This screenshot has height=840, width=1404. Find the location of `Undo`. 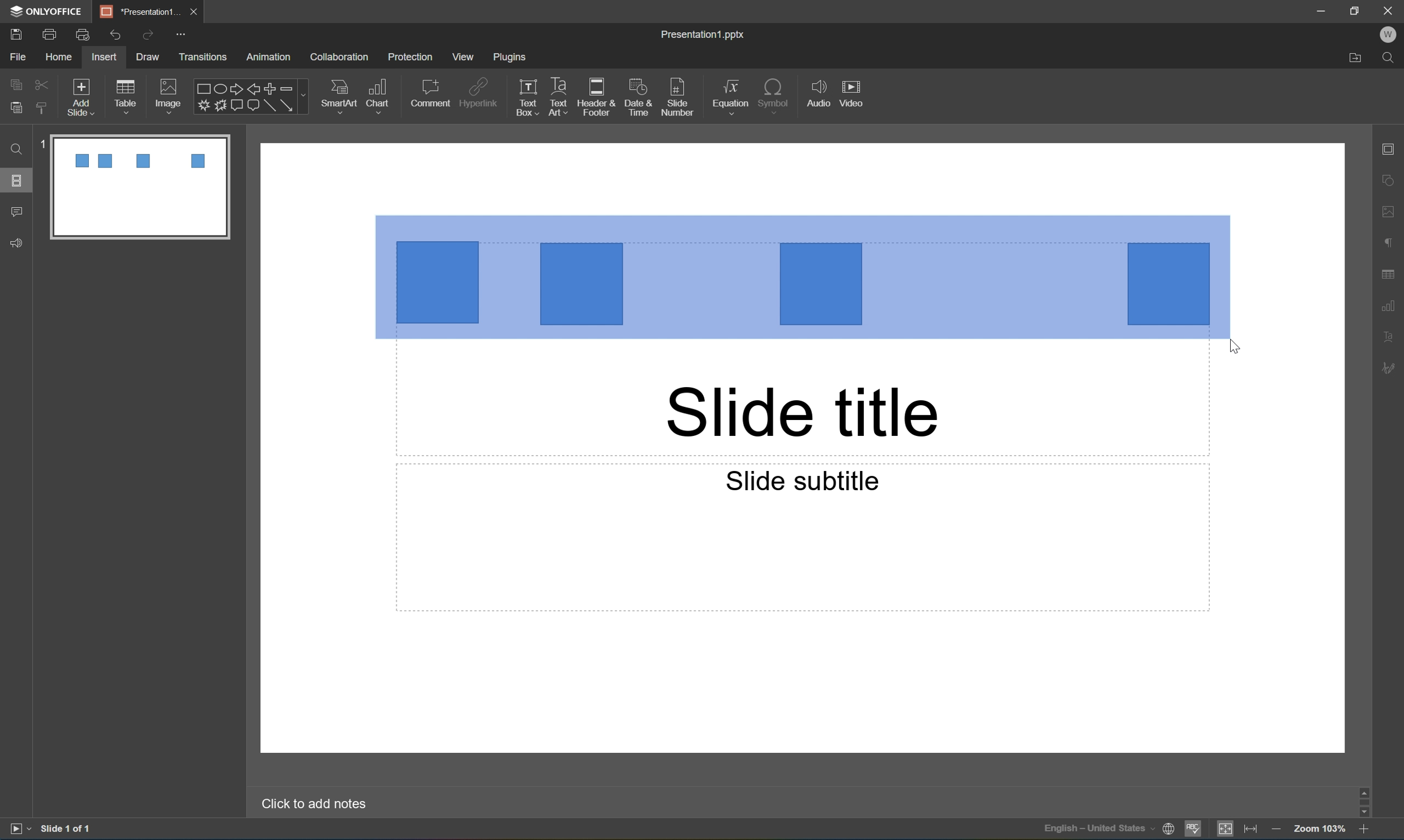

Undo is located at coordinates (115, 33).